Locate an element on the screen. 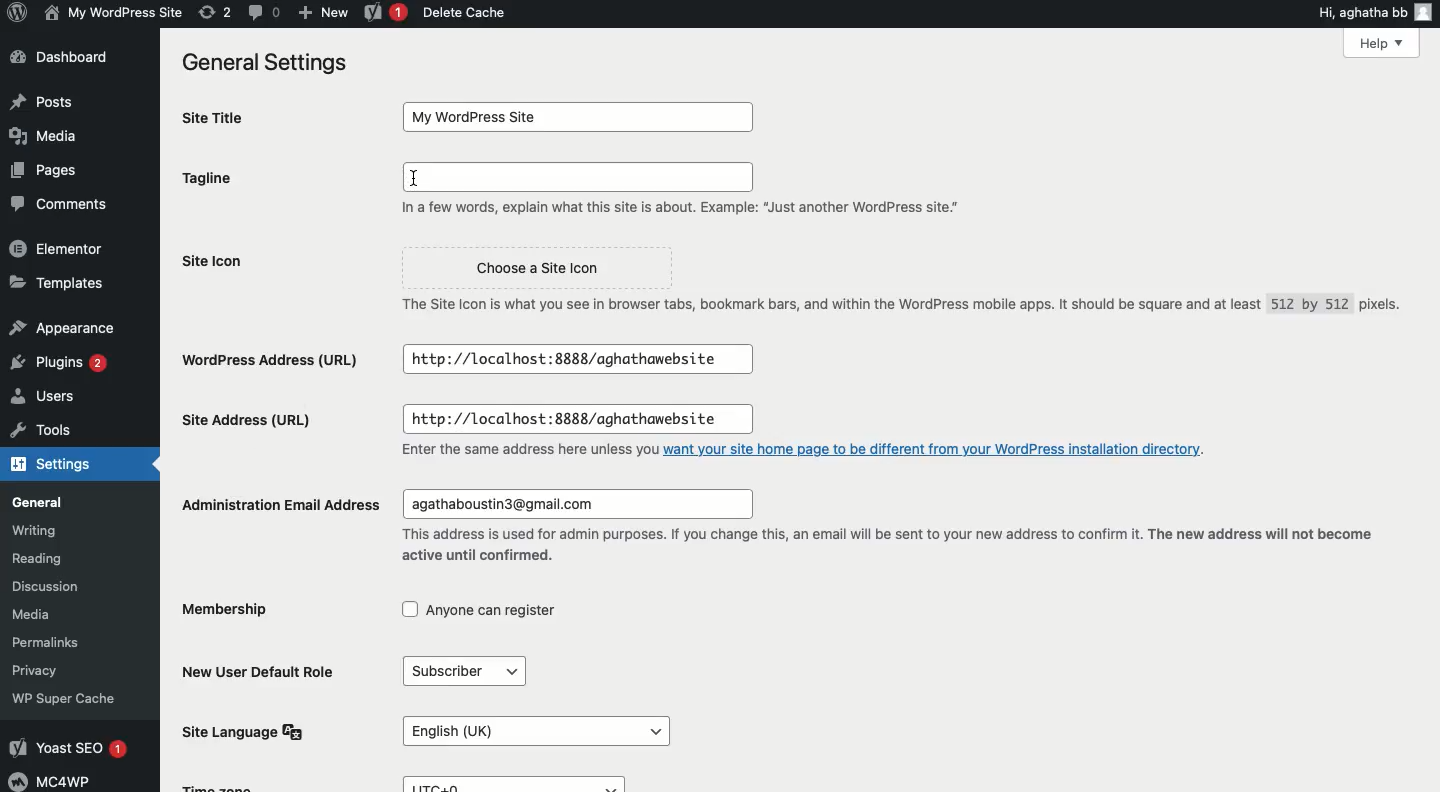 The height and width of the screenshot is (792, 1440). Site title is located at coordinates (223, 117).